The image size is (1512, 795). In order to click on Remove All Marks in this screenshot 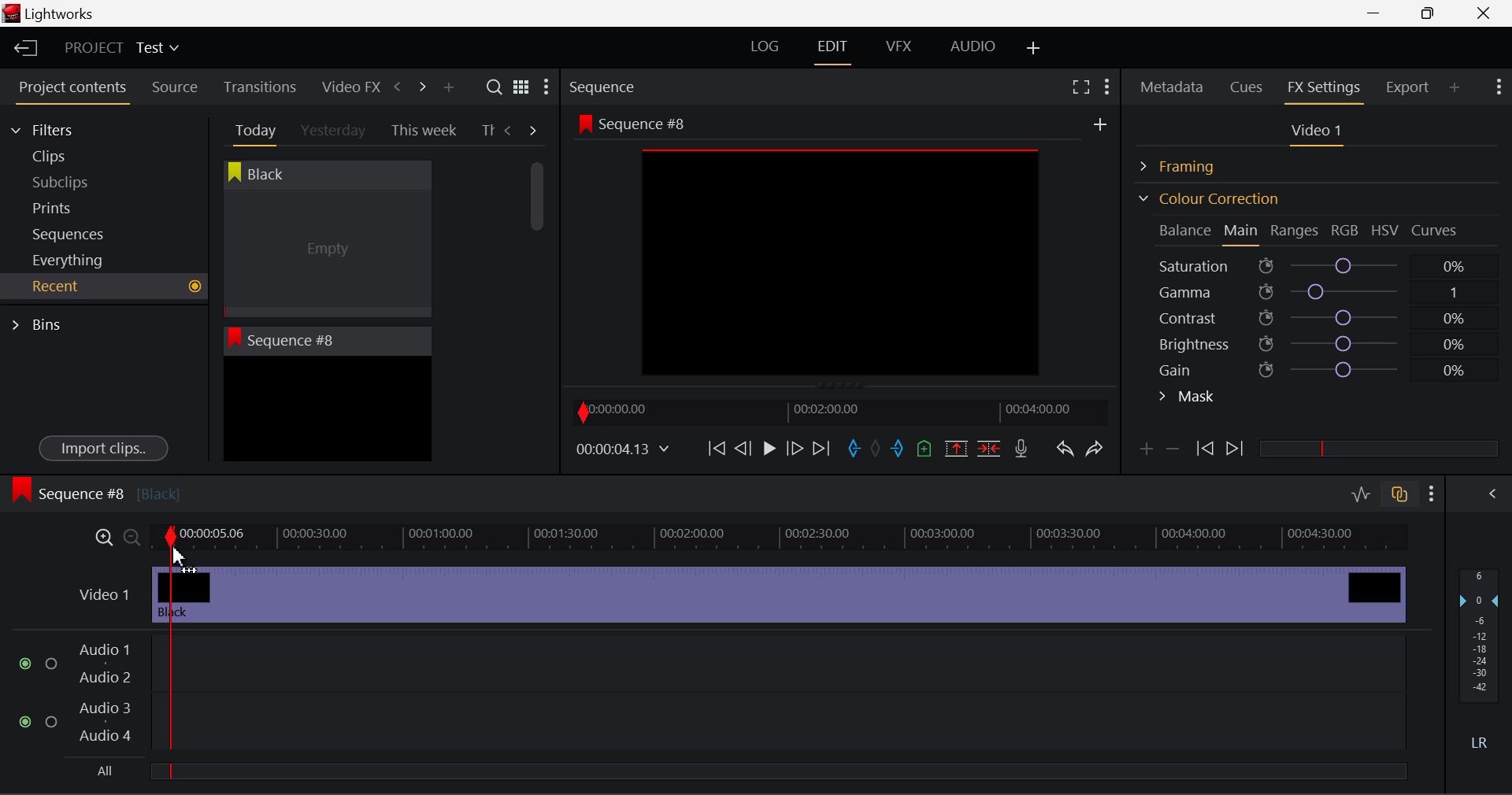, I will do `click(877, 450)`.